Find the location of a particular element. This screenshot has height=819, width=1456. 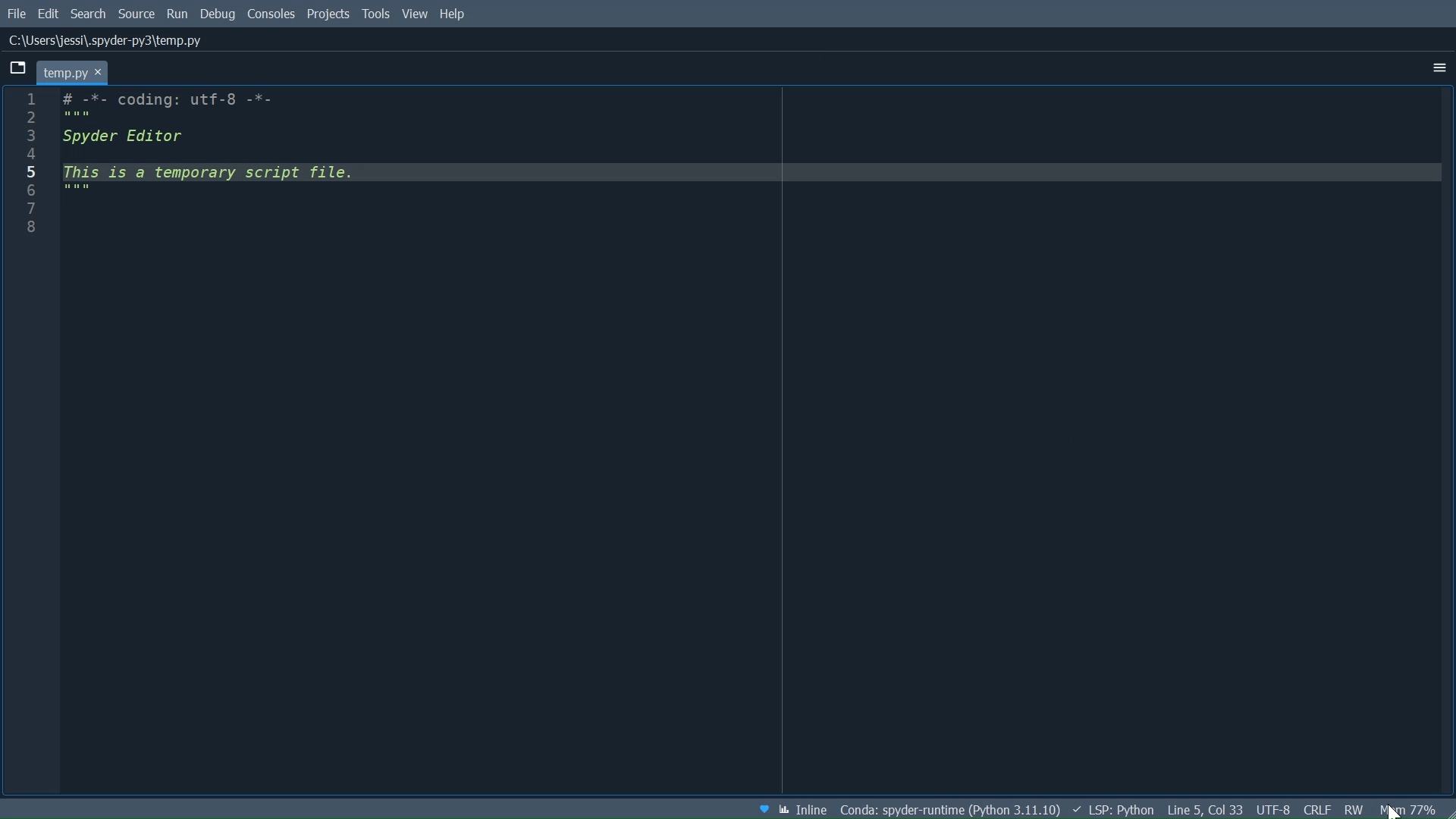

Consoles is located at coordinates (271, 16).